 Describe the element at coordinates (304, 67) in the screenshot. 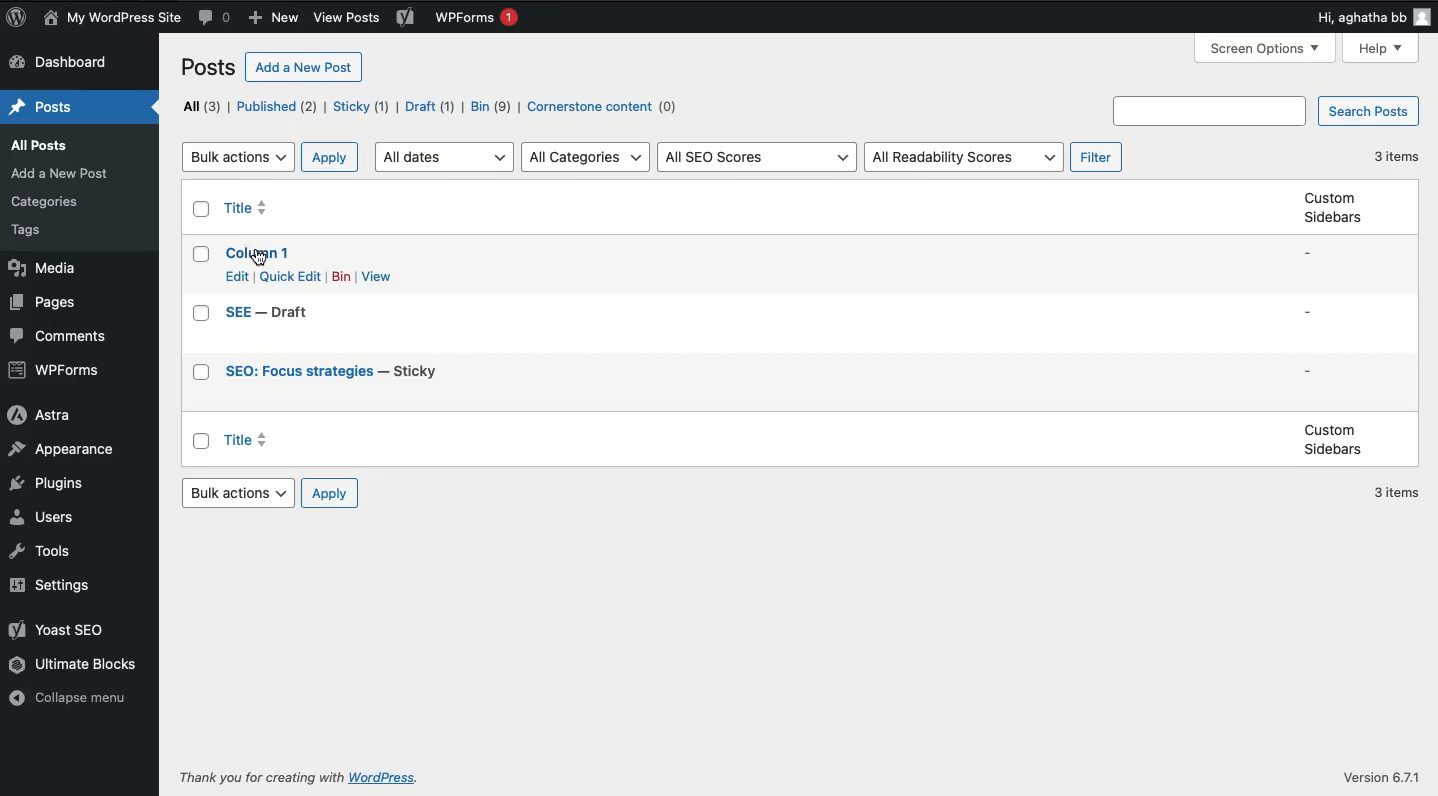

I see `Add a new post` at that location.